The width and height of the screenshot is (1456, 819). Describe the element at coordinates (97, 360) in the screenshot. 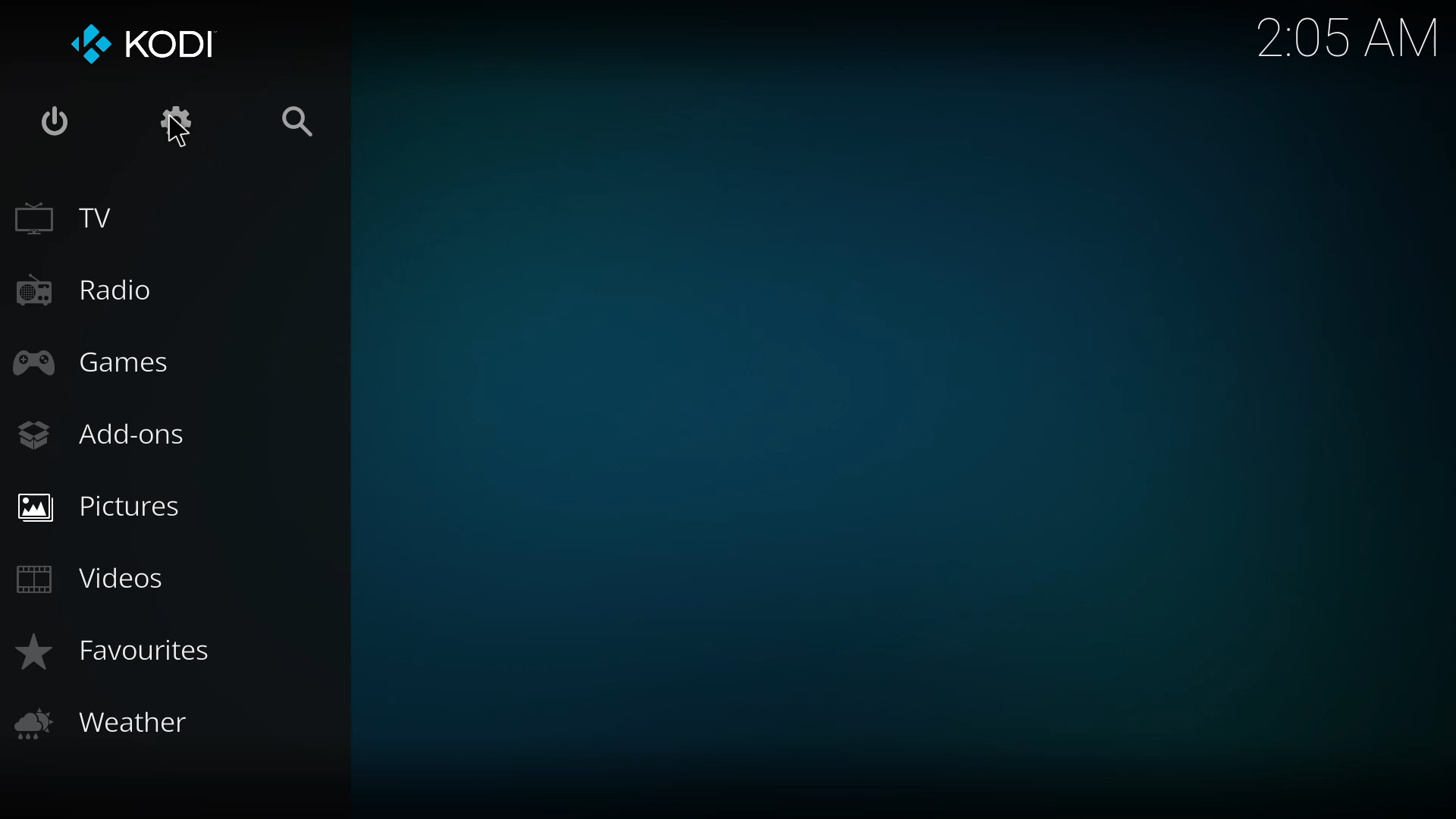

I see `games` at that location.